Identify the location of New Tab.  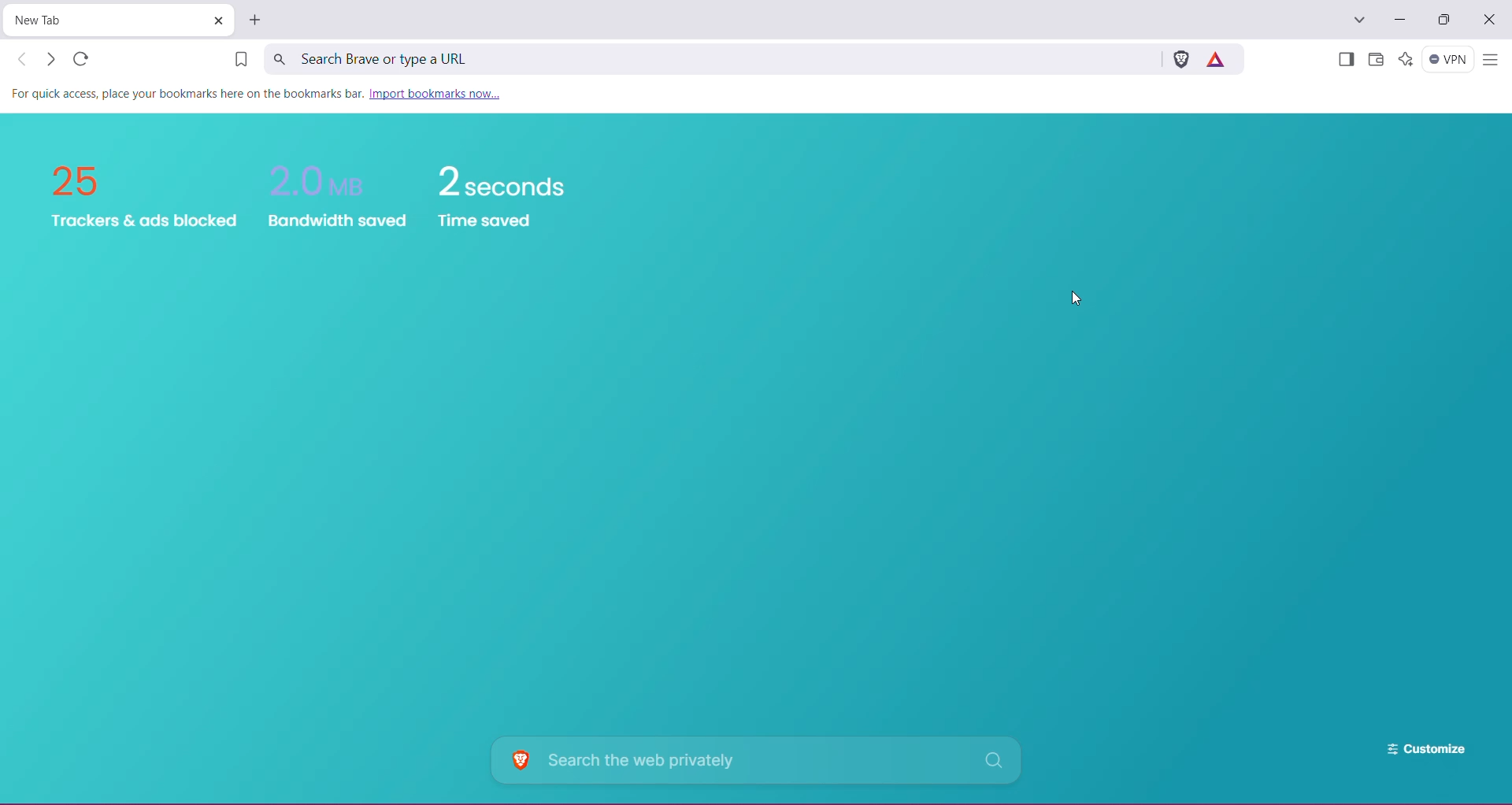
(257, 20).